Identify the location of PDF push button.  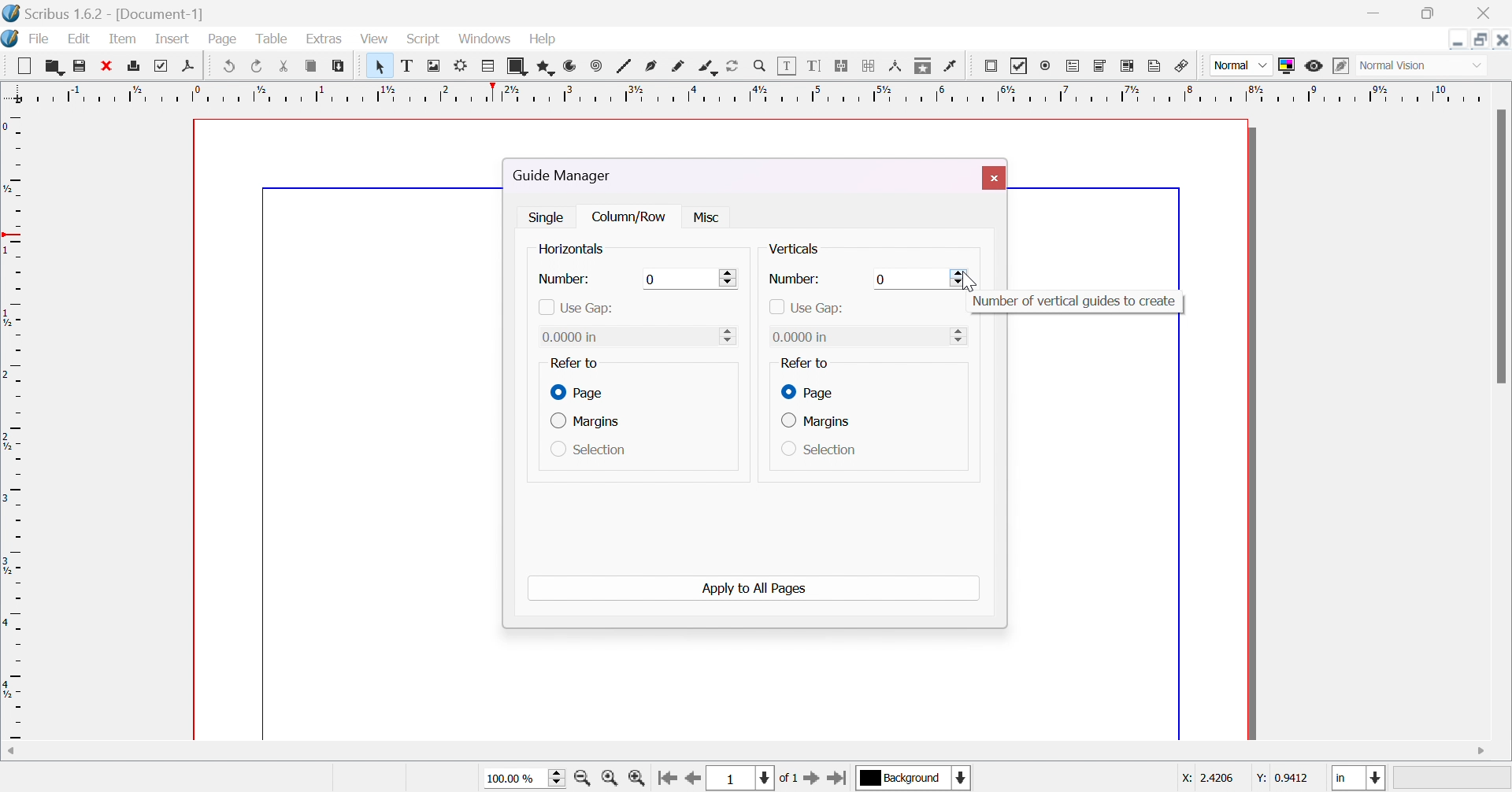
(991, 68).